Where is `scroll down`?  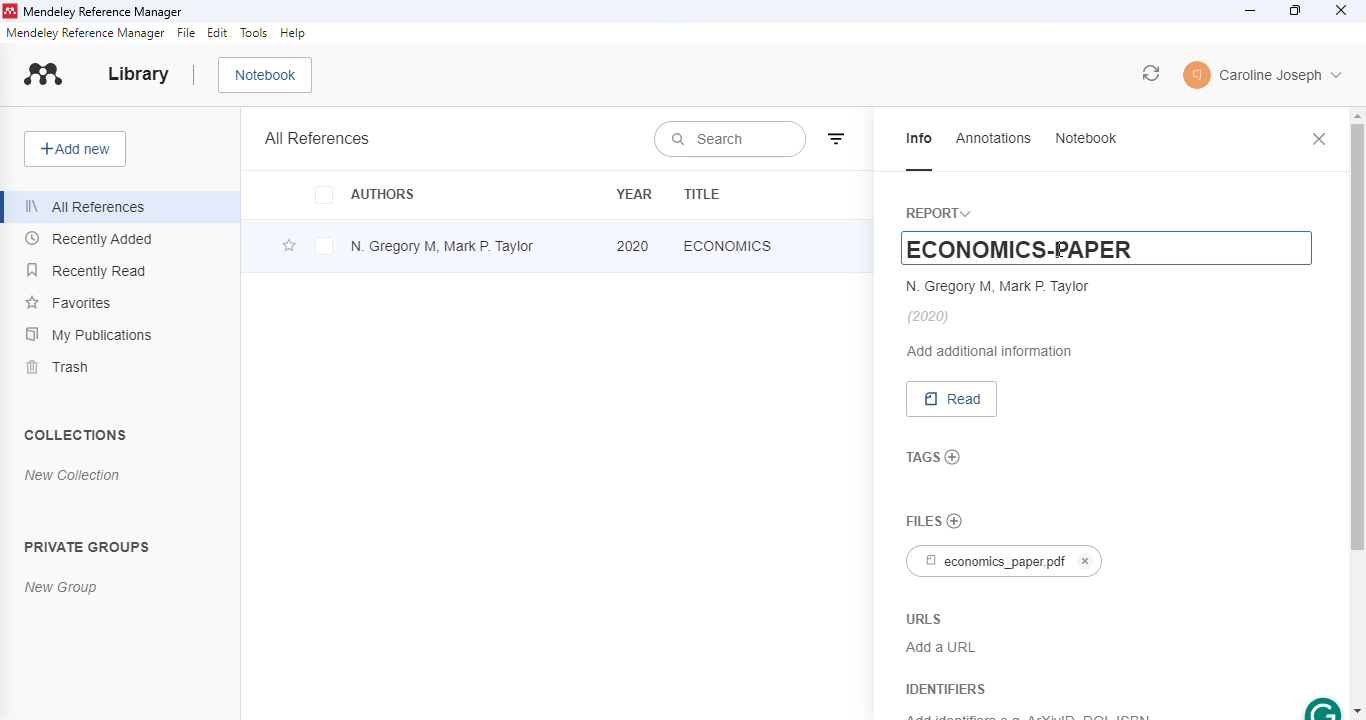 scroll down is located at coordinates (1357, 708).